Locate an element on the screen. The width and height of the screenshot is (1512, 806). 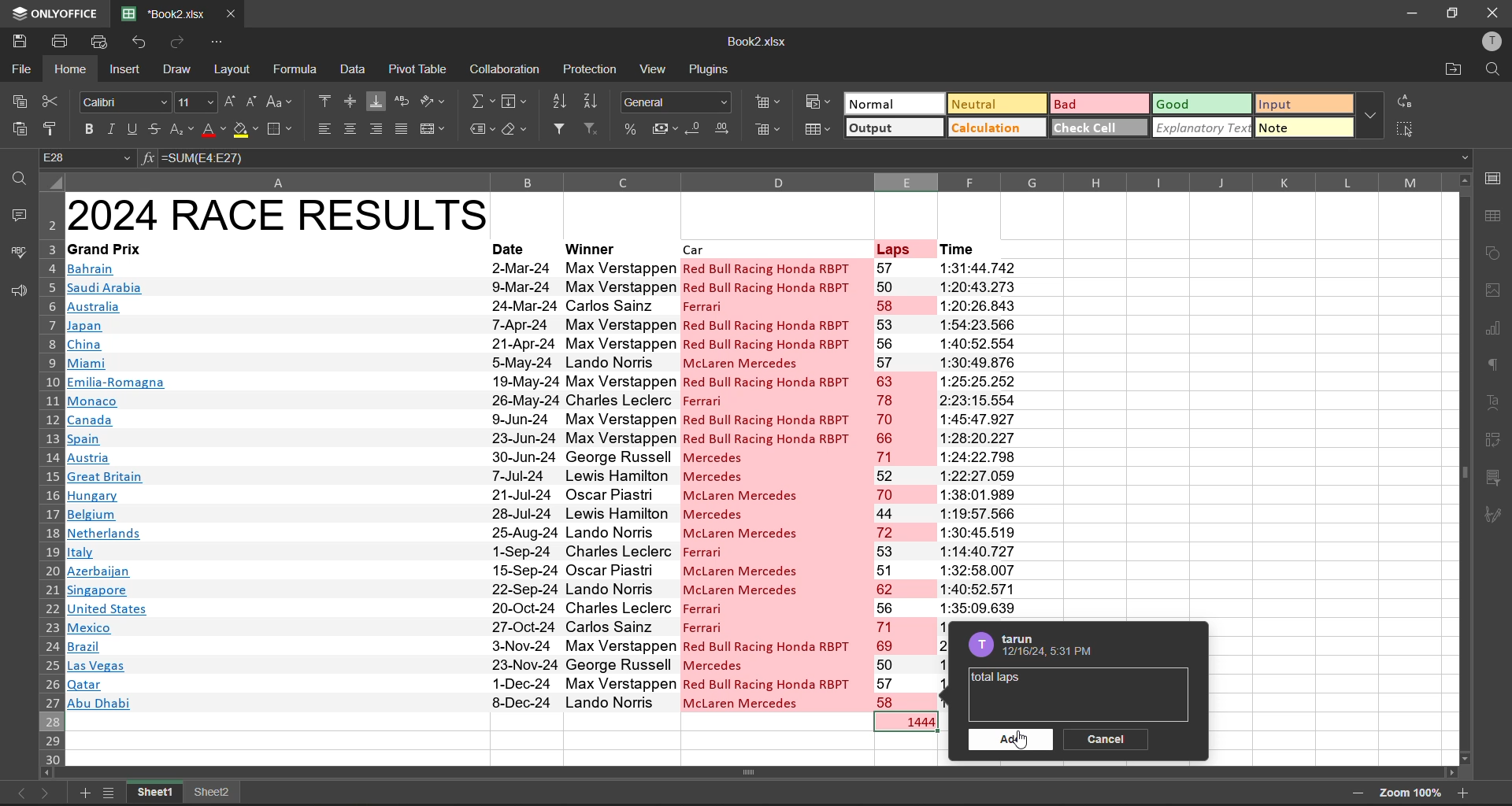
borders is located at coordinates (282, 130).